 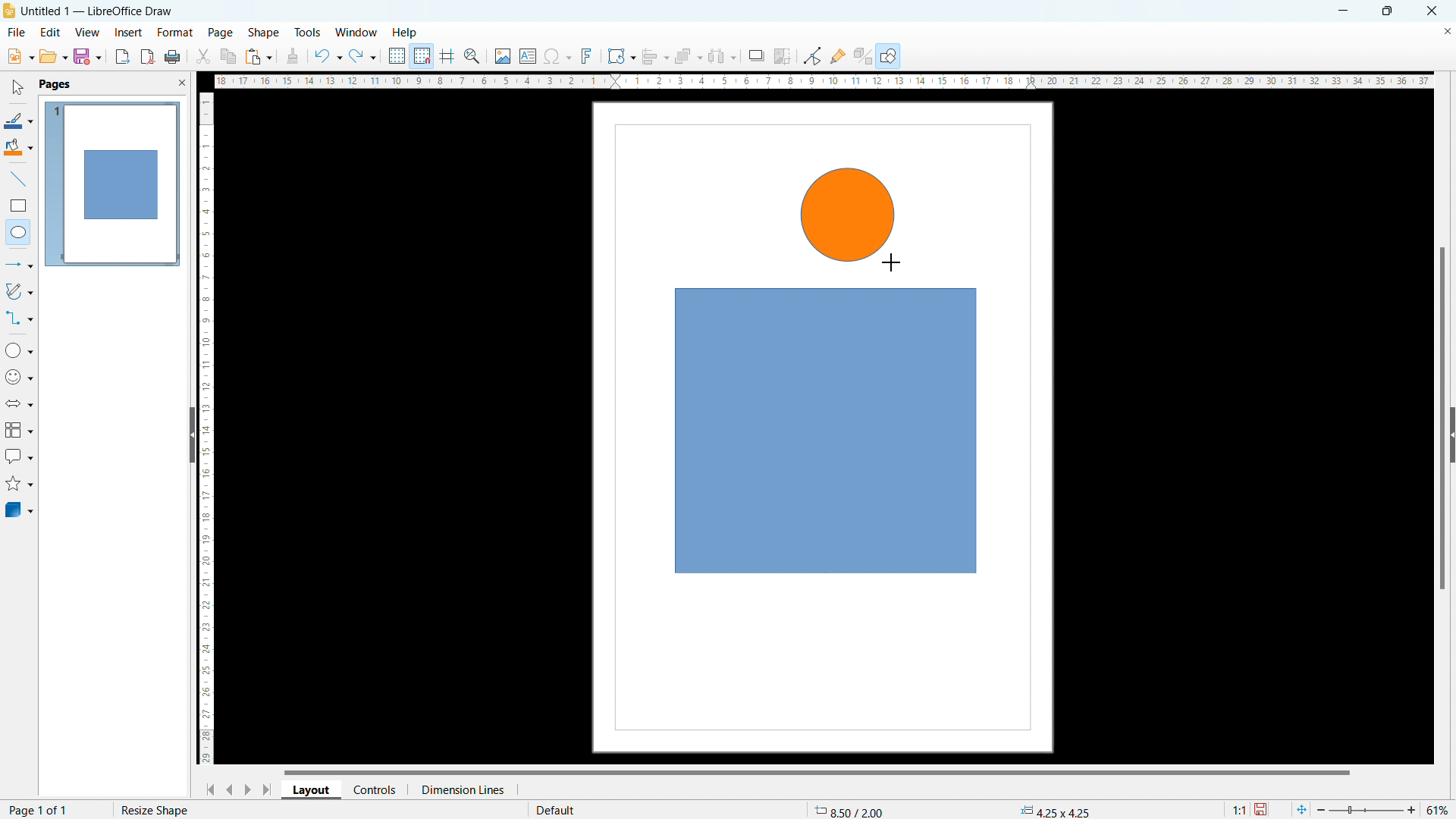 What do you see at coordinates (19, 180) in the screenshot?
I see `line` at bounding box center [19, 180].